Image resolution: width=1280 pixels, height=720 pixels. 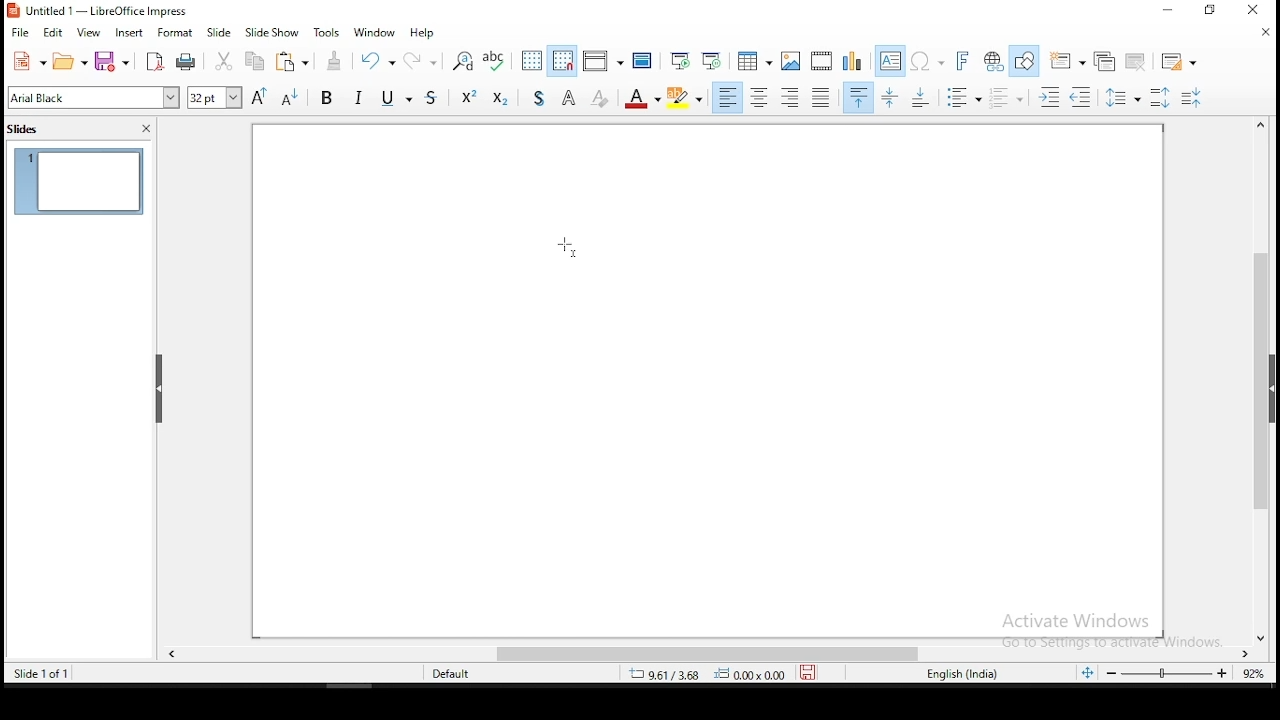 What do you see at coordinates (1181, 62) in the screenshot?
I see `slide layout` at bounding box center [1181, 62].